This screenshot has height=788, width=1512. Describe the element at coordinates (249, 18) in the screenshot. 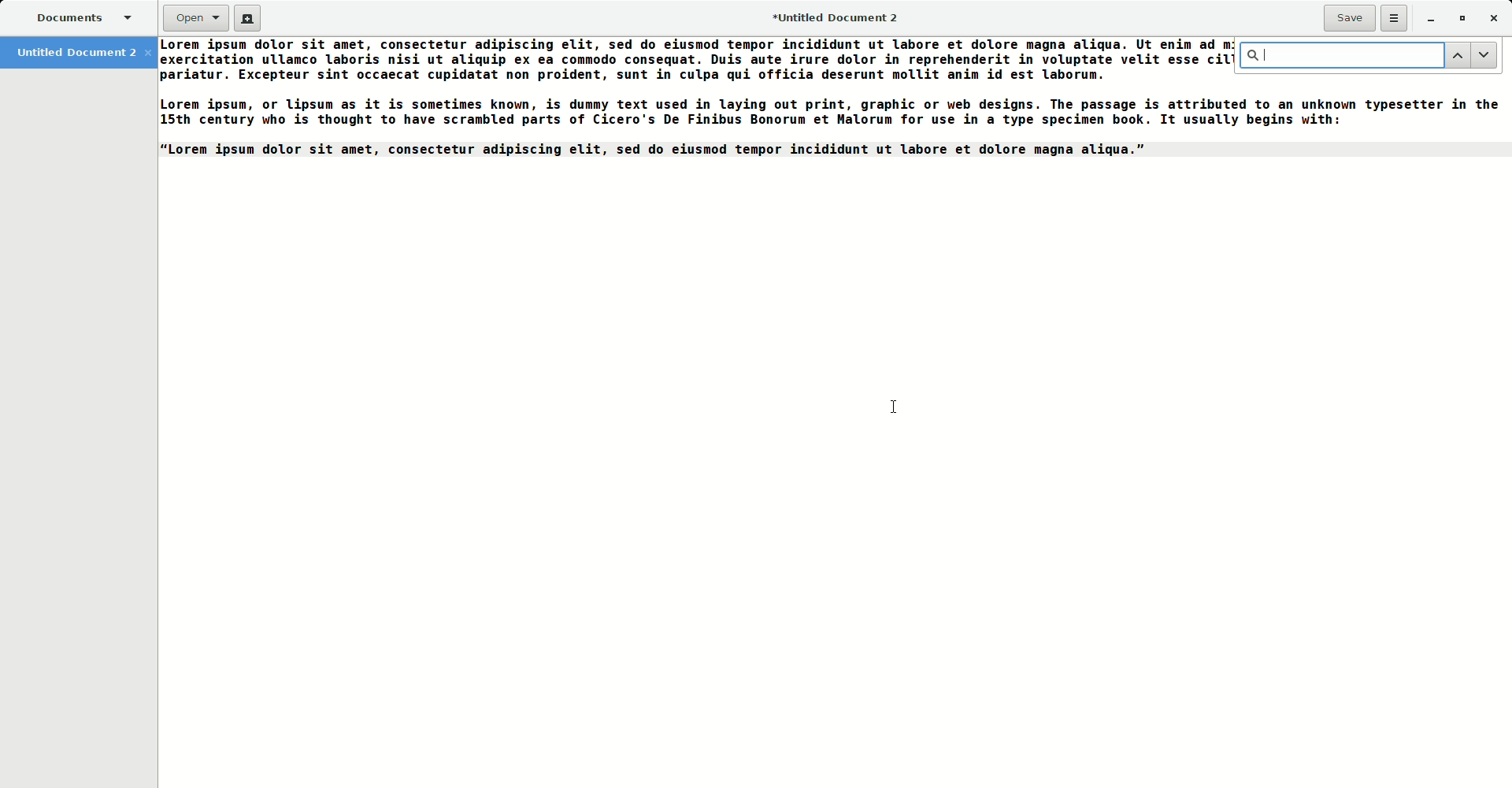

I see `New` at that location.